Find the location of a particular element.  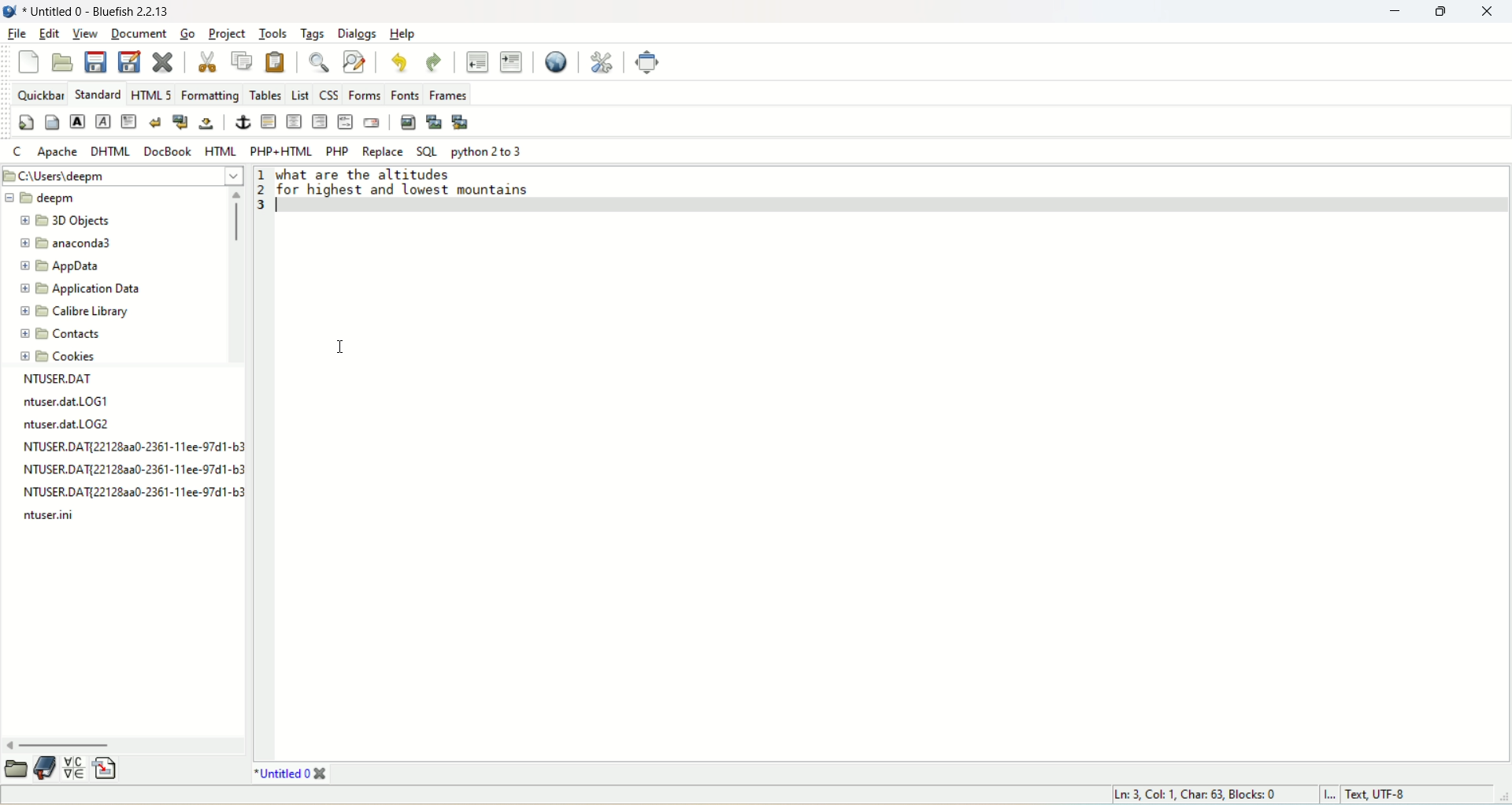

redo is located at coordinates (432, 62).